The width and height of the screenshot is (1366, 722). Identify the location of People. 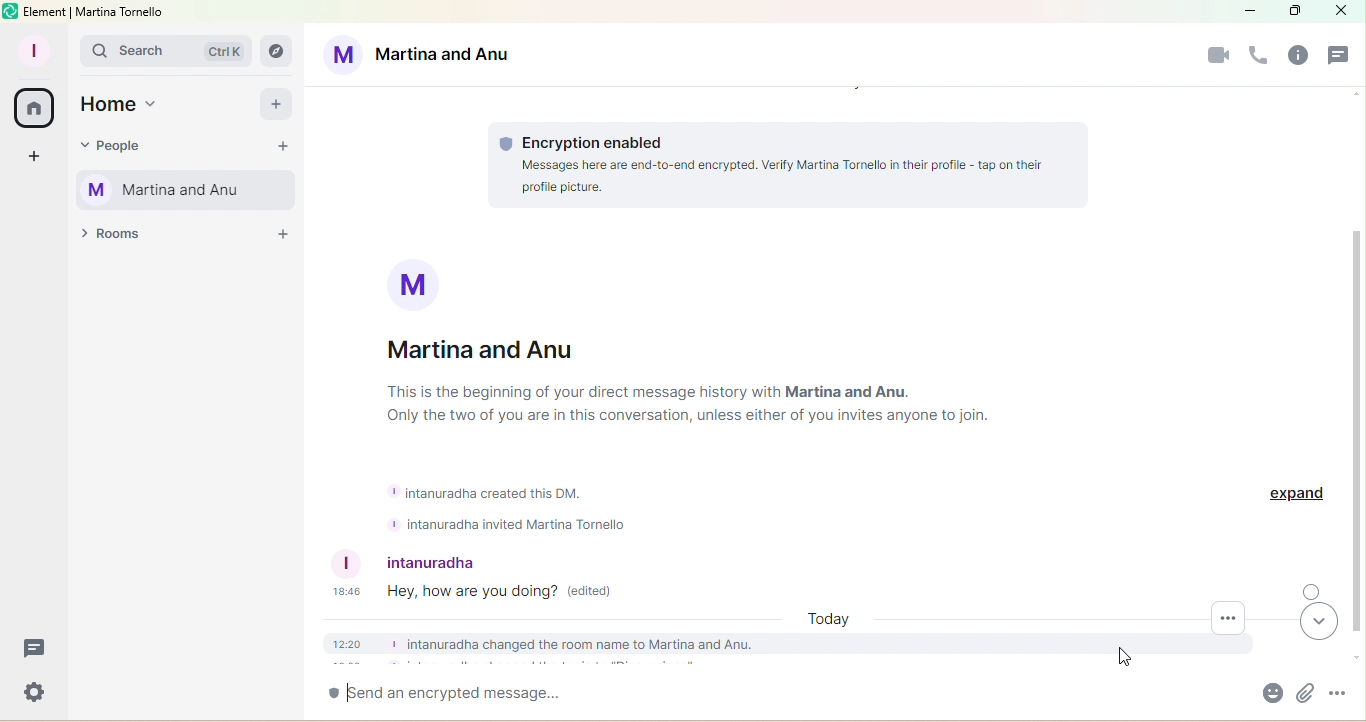
(119, 142).